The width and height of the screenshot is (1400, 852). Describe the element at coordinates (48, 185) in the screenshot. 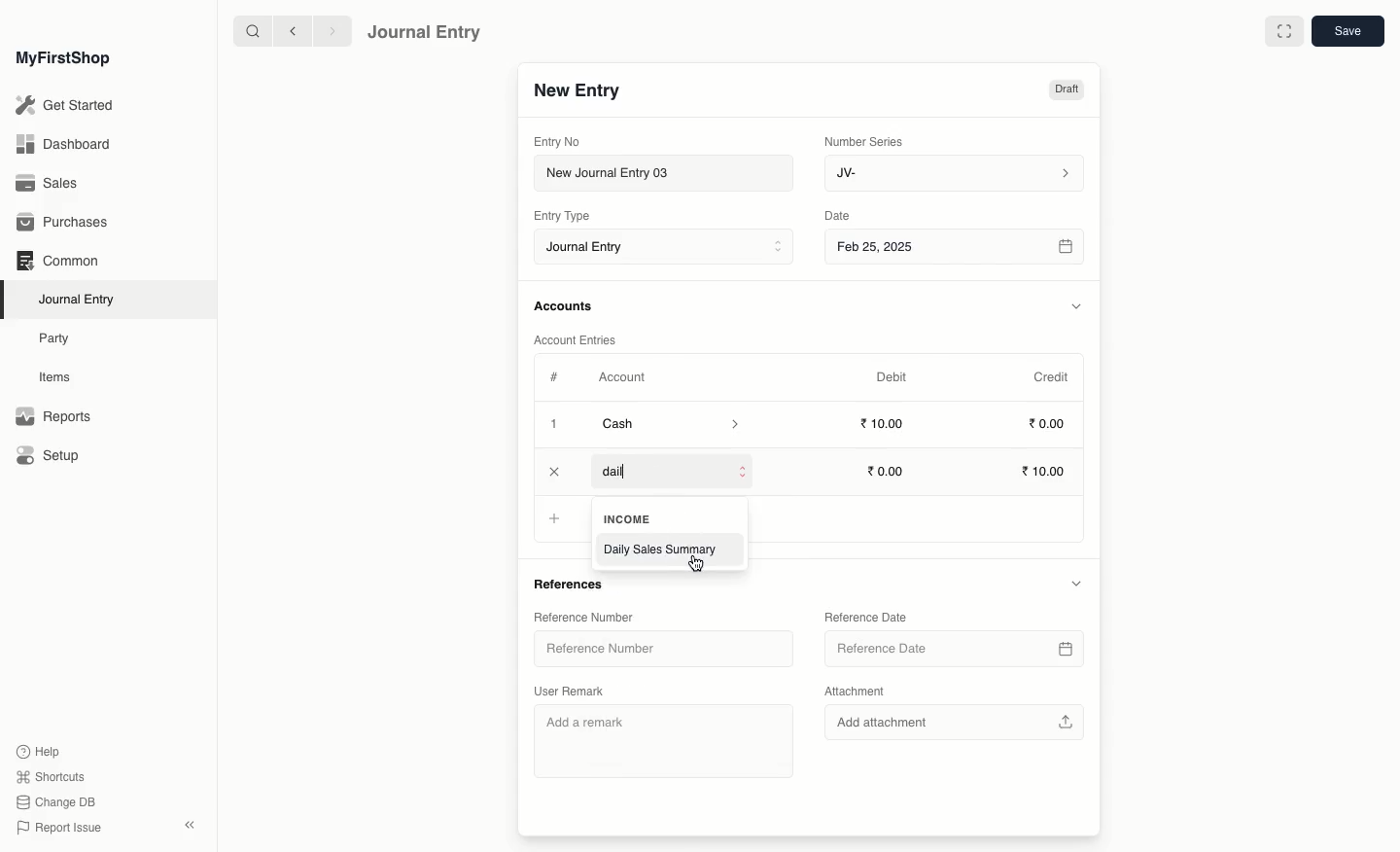

I see `Sales` at that location.